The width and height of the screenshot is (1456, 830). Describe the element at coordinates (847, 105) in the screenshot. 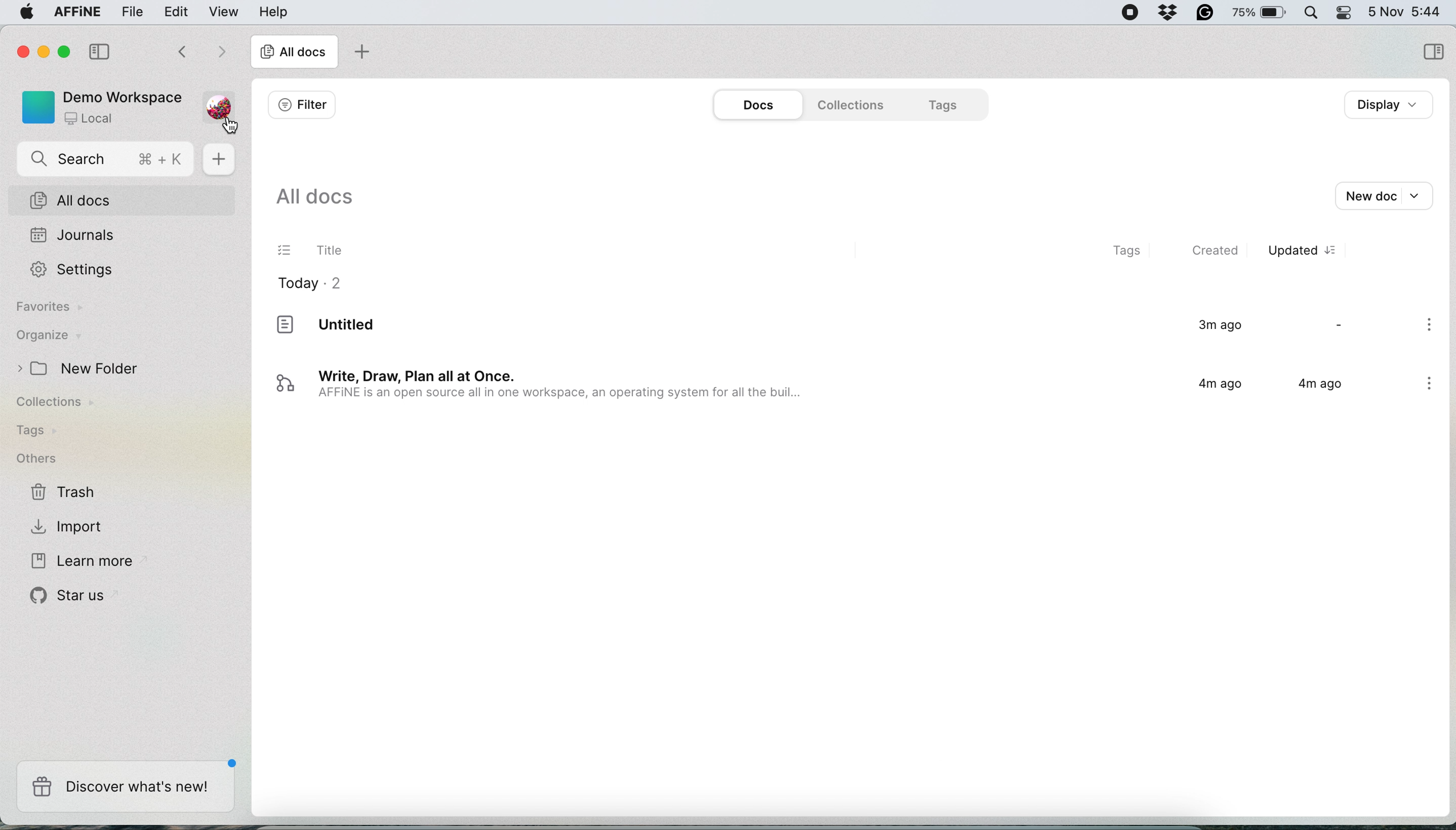

I see `collections` at that location.